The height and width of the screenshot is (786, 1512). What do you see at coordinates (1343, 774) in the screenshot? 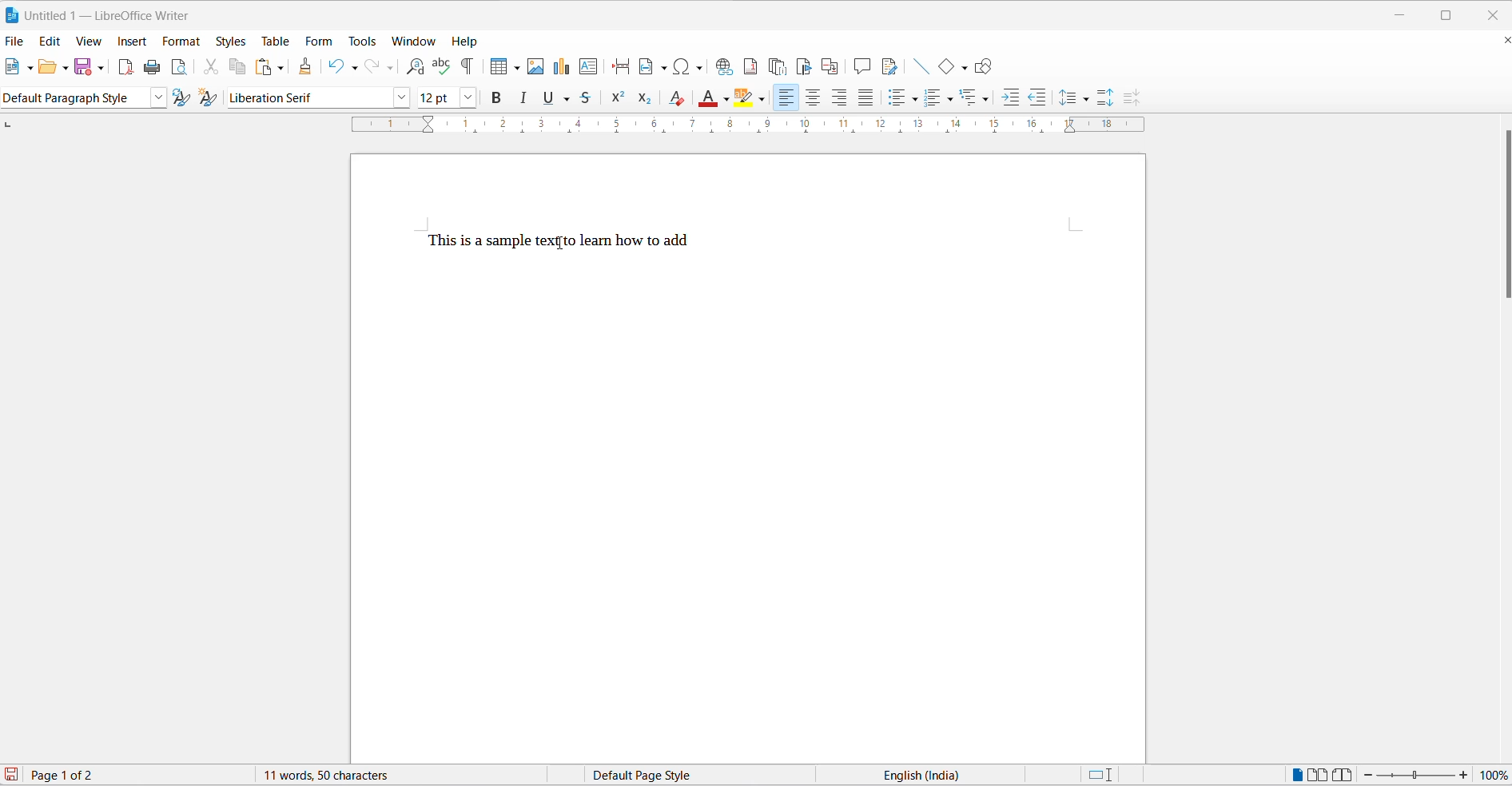
I see `book view` at bounding box center [1343, 774].